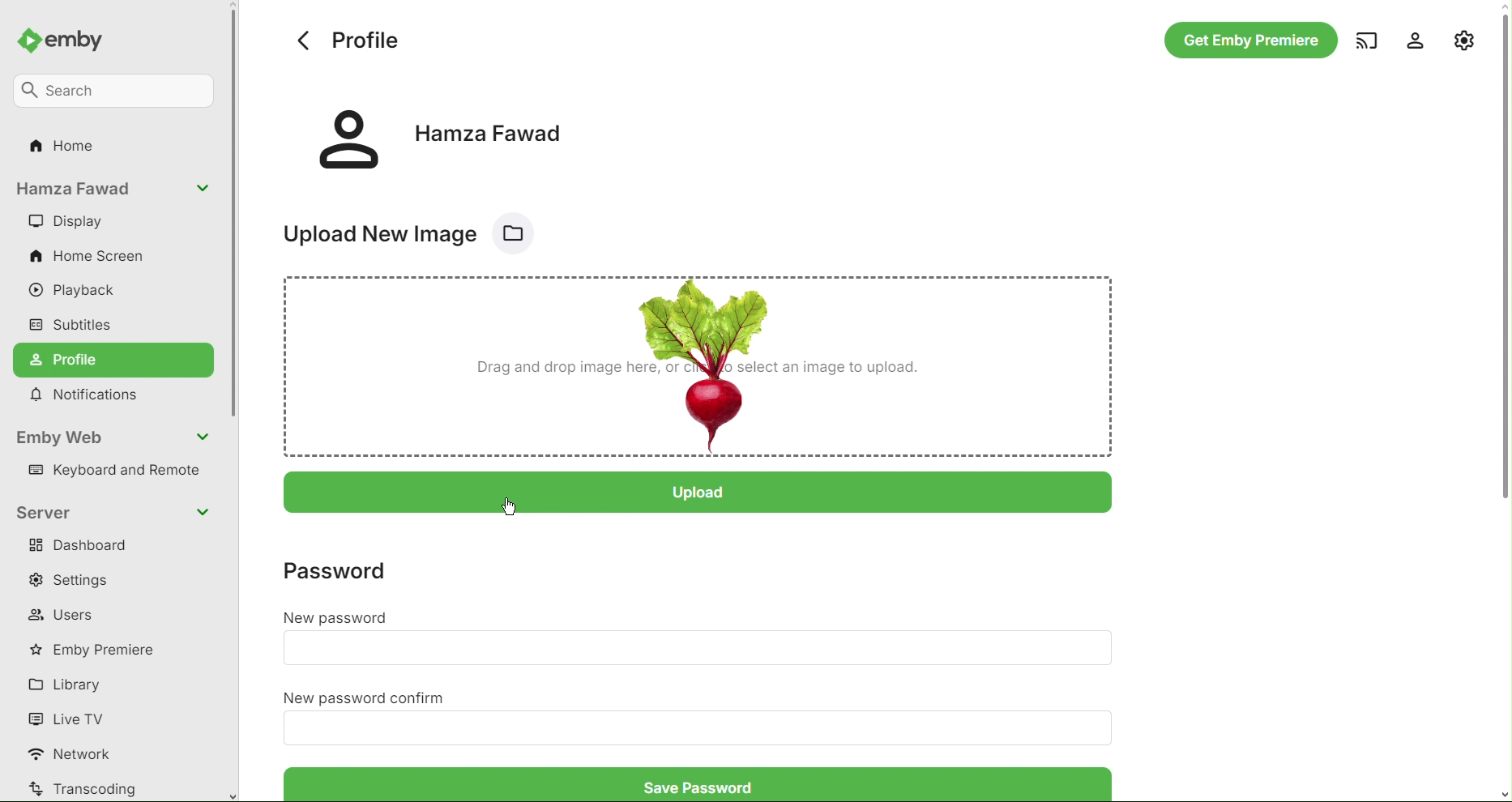 This screenshot has width=1512, height=802. What do you see at coordinates (697, 650) in the screenshot?
I see `New Password` at bounding box center [697, 650].